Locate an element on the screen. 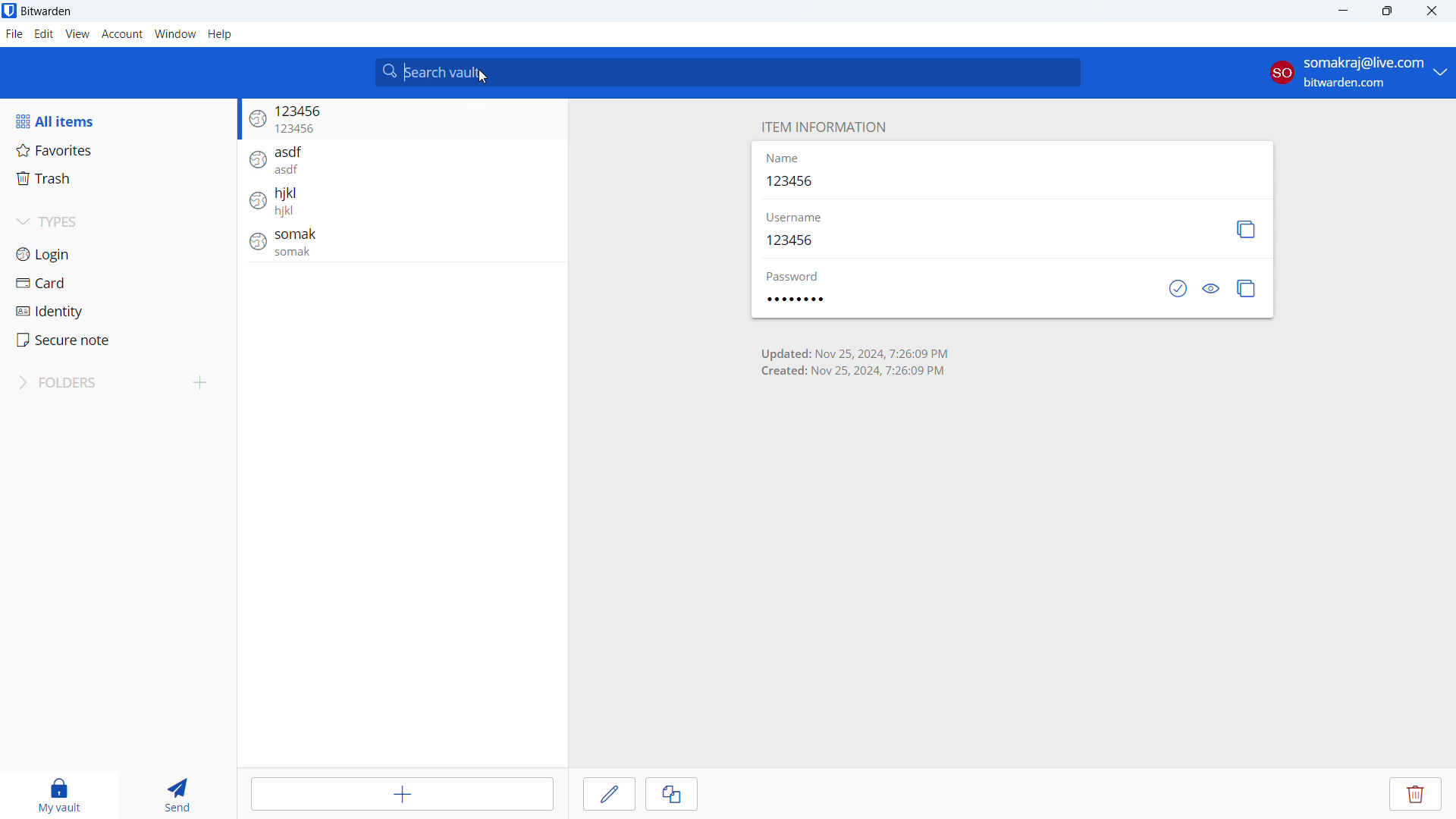 The height and width of the screenshot is (819, 1456). login entry: 123456 is located at coordinates (402, 121).